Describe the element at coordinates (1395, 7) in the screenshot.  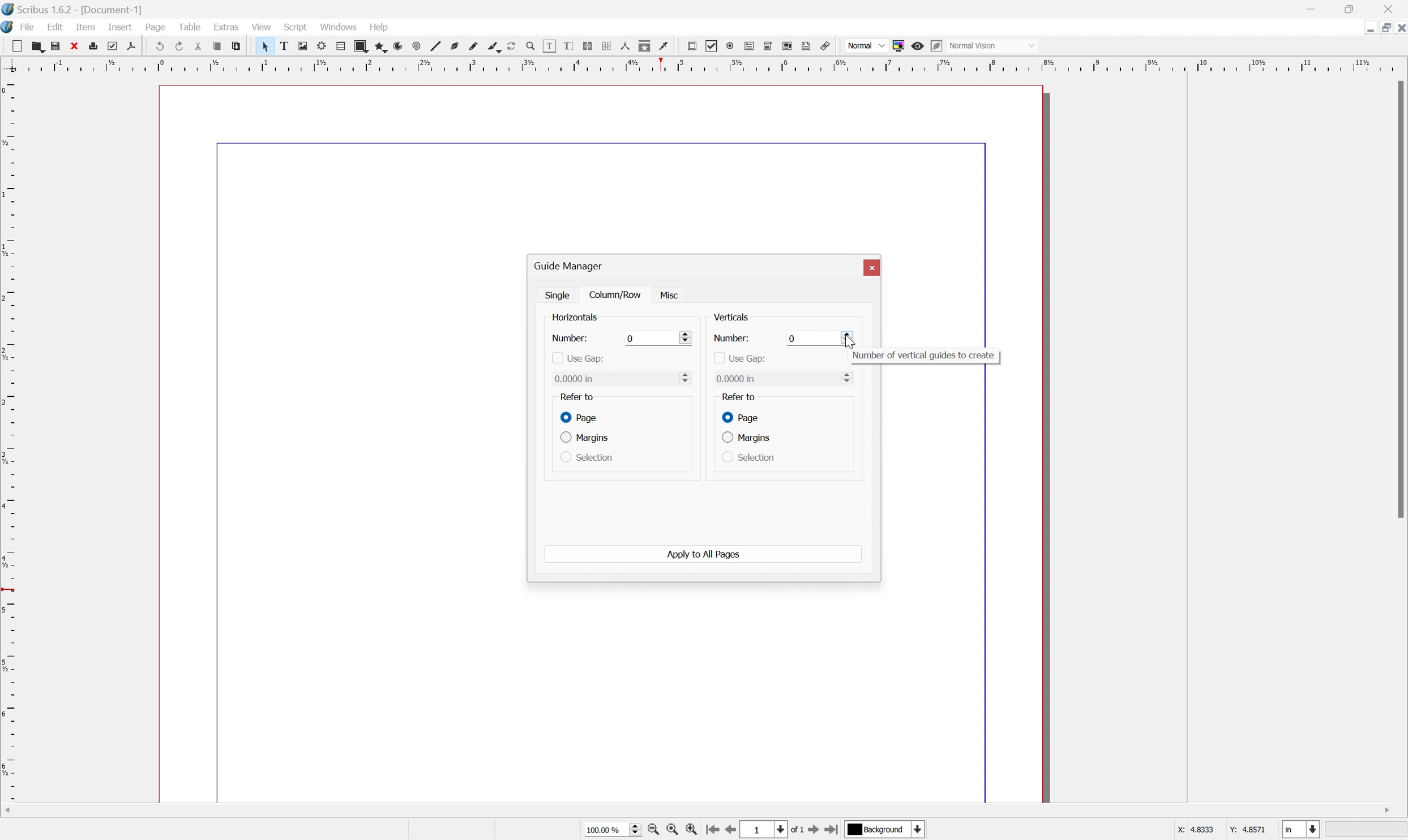
I see `close` at that location.